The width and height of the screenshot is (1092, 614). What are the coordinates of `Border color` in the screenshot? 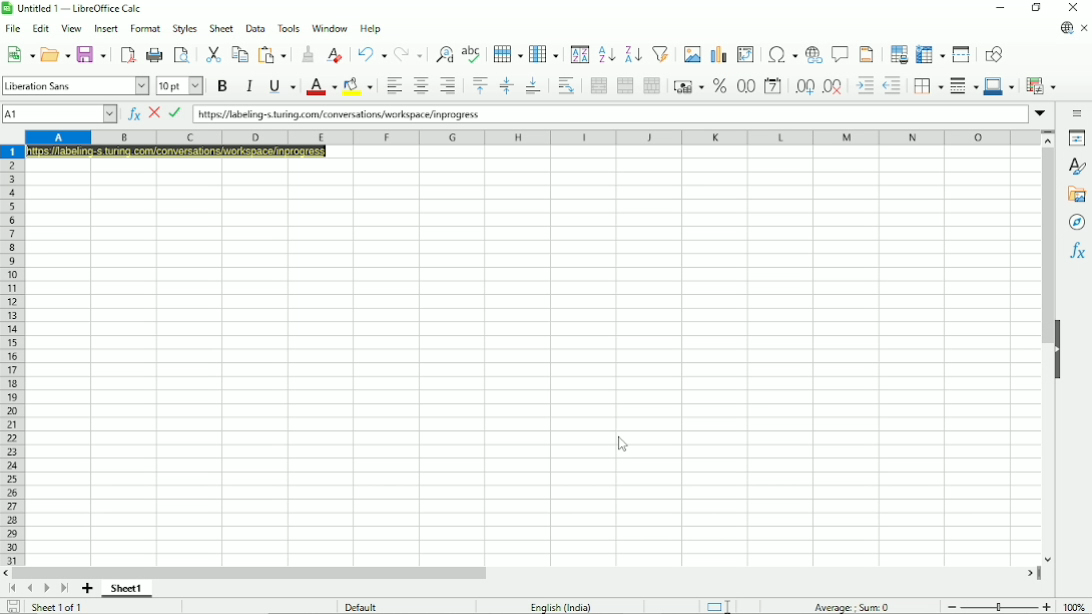 It's located at (1000, 87).